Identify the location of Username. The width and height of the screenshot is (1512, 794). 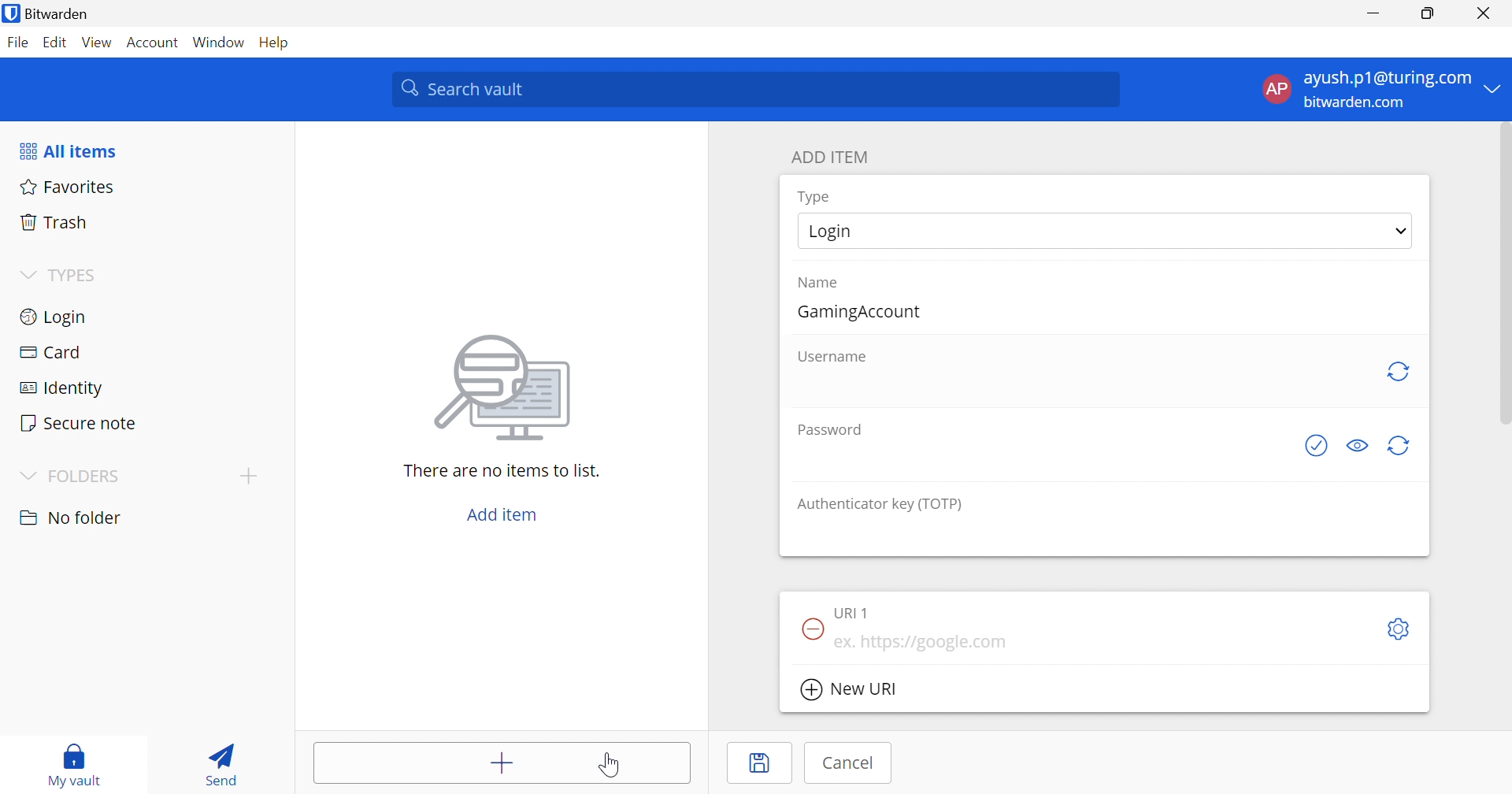
(835, 358).